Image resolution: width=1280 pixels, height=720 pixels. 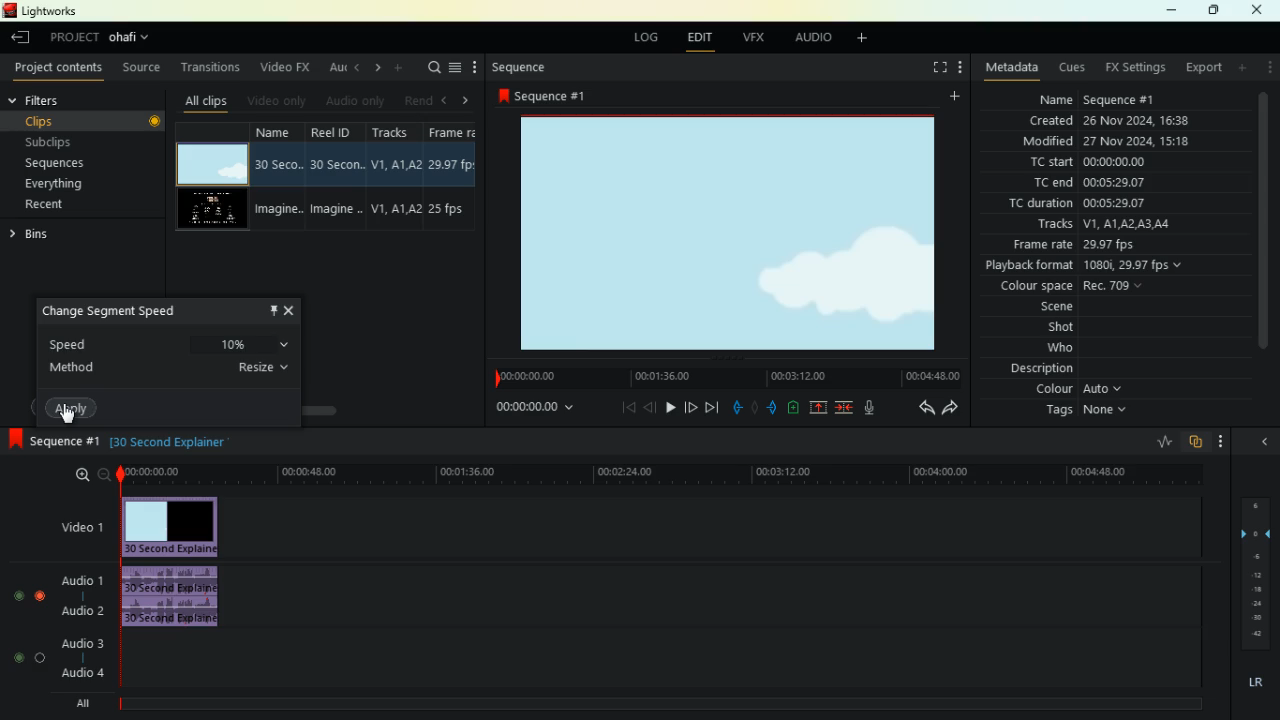 What do you see at coordinates (920, 407) in the screenshot?
I see `back` at bounding box center [920, 407].